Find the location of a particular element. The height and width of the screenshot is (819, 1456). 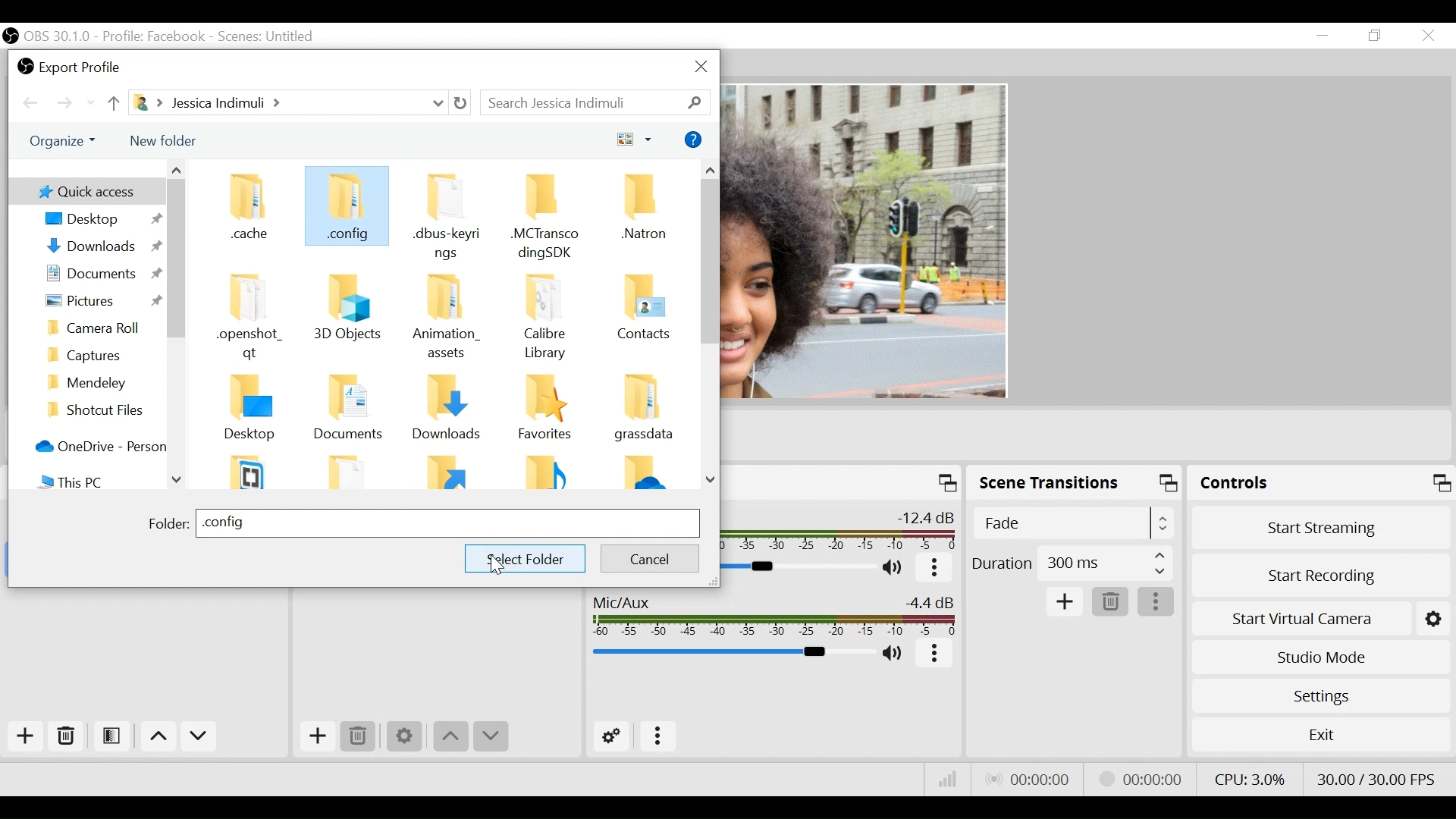

minimize is located at coordinates (1323, 37).